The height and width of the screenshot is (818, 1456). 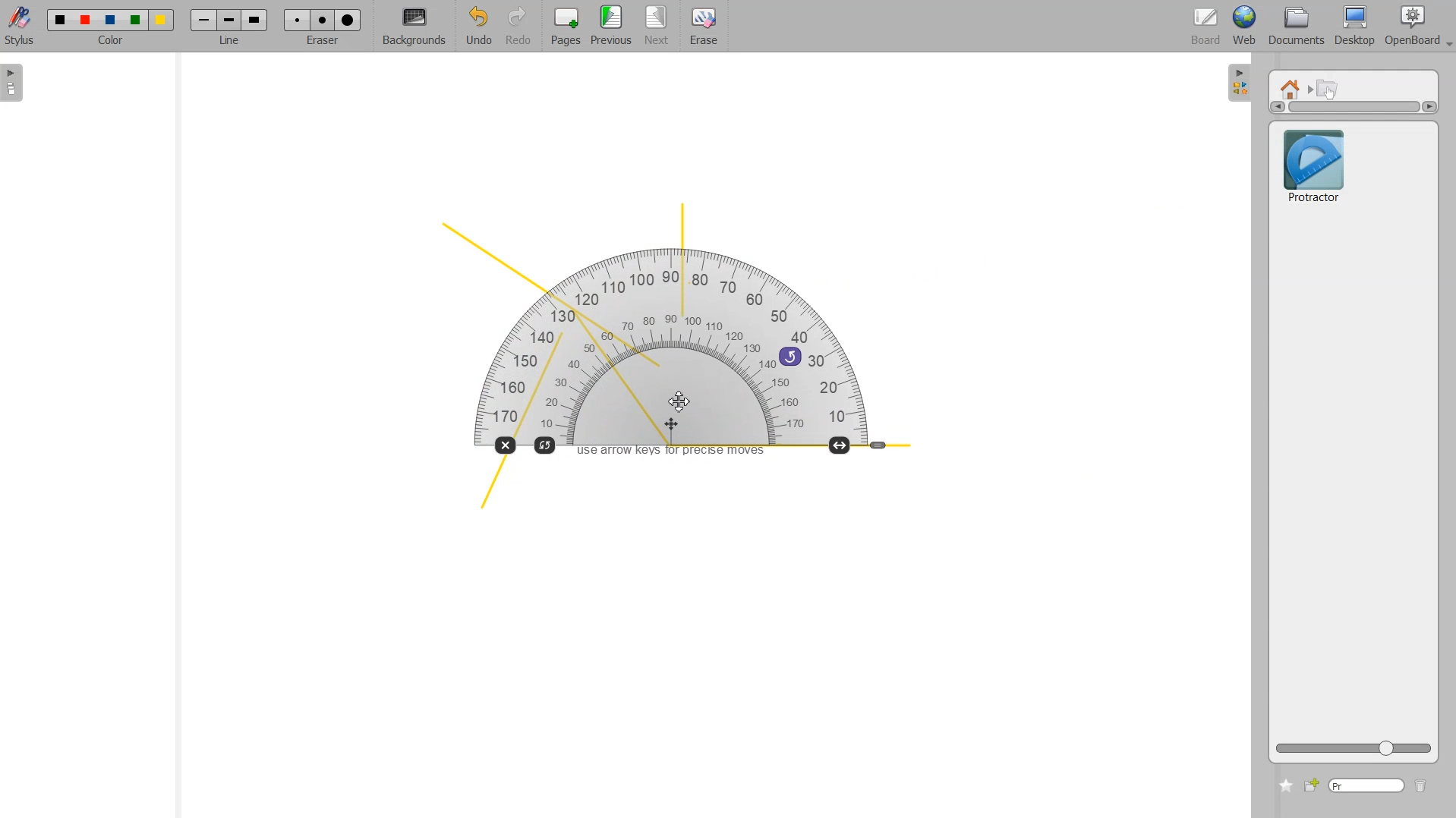 What do you see at coordinates (504, 445) in the screenshot?
I see `Remove` at bounding box center [504, 445].